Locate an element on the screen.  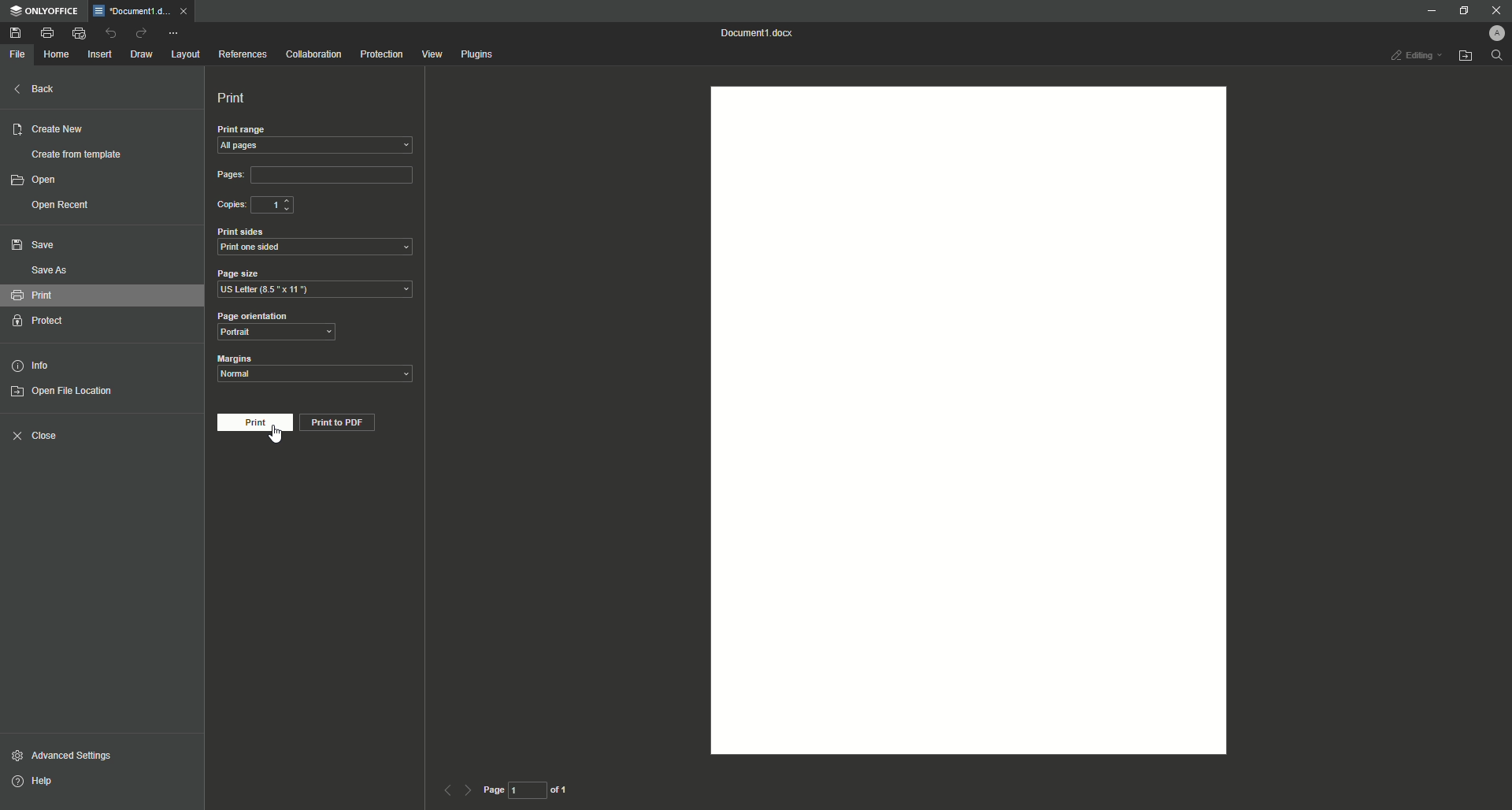
Save is located at coordinates (17, 32).